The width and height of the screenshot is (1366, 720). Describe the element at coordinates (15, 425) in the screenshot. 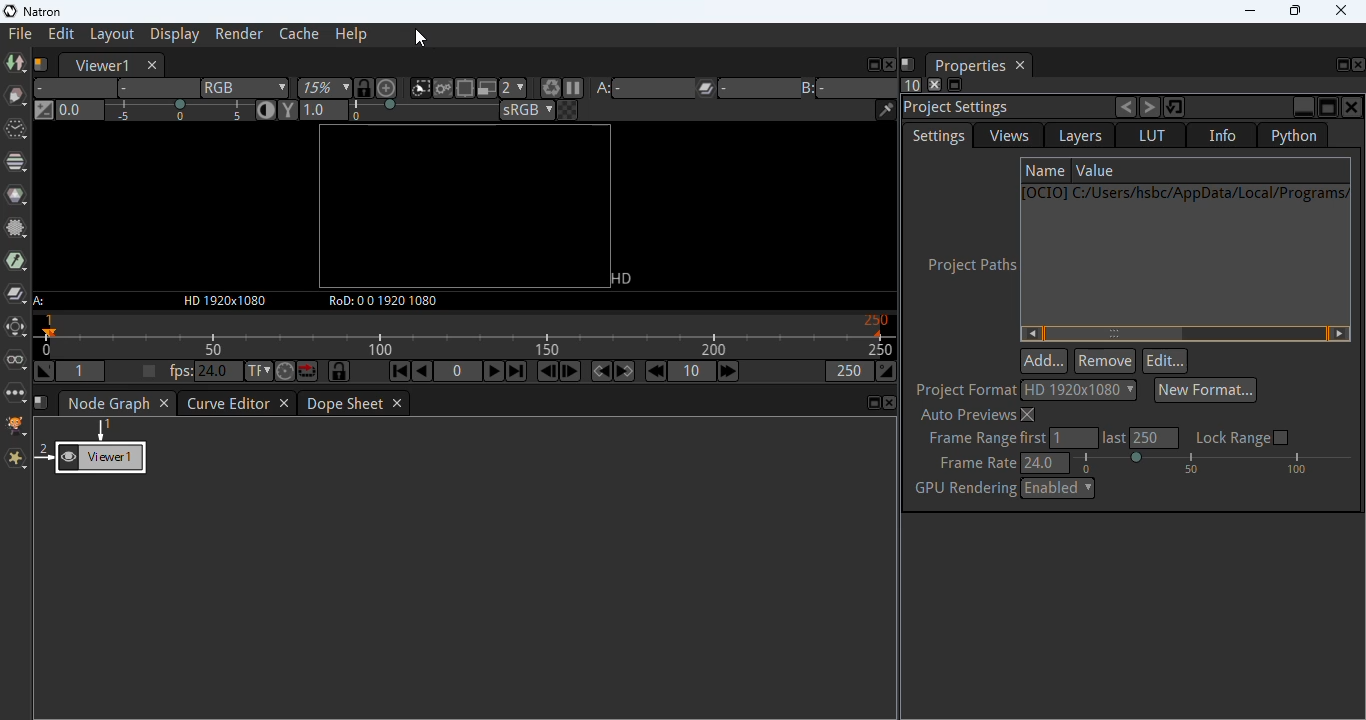

I see `GMIC` at that location.